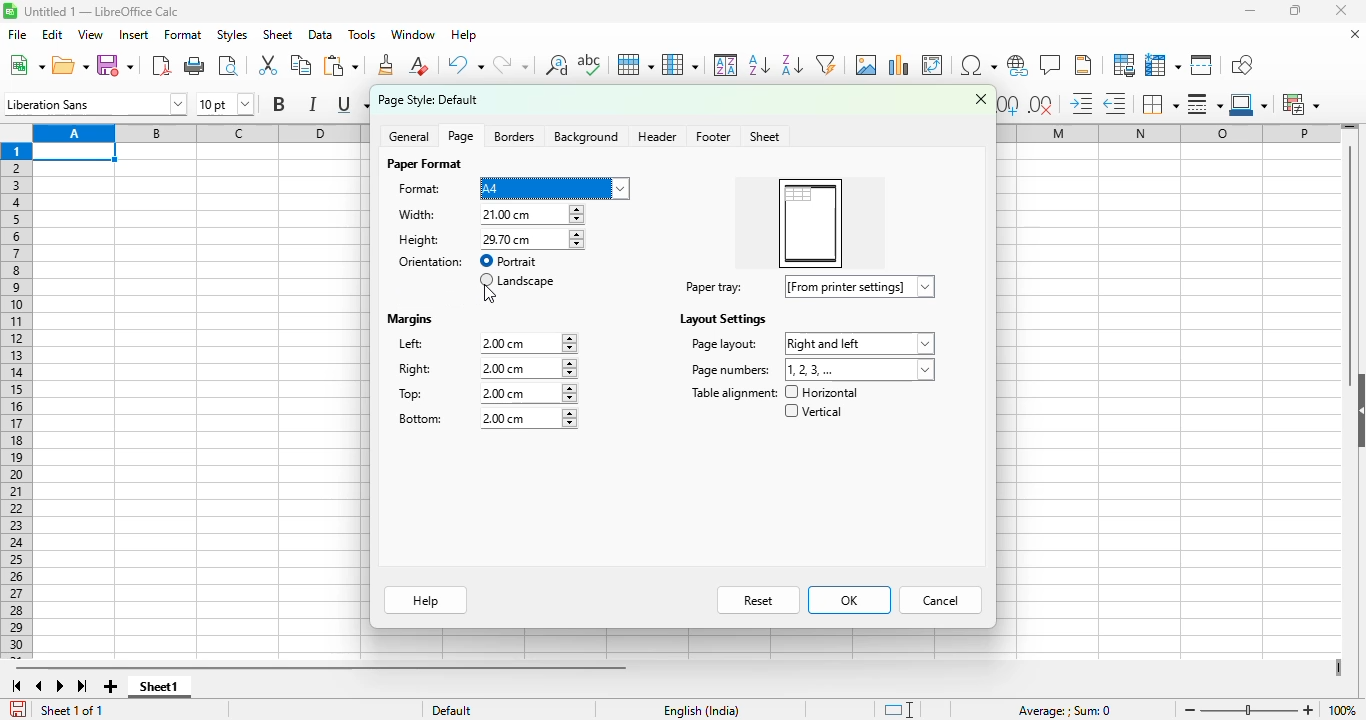 The height and width of the screenshot is (720, 1366). What do you see at coordinates (680, 65) in the screenshot?
I see `column` at bounding box center [680, 65].